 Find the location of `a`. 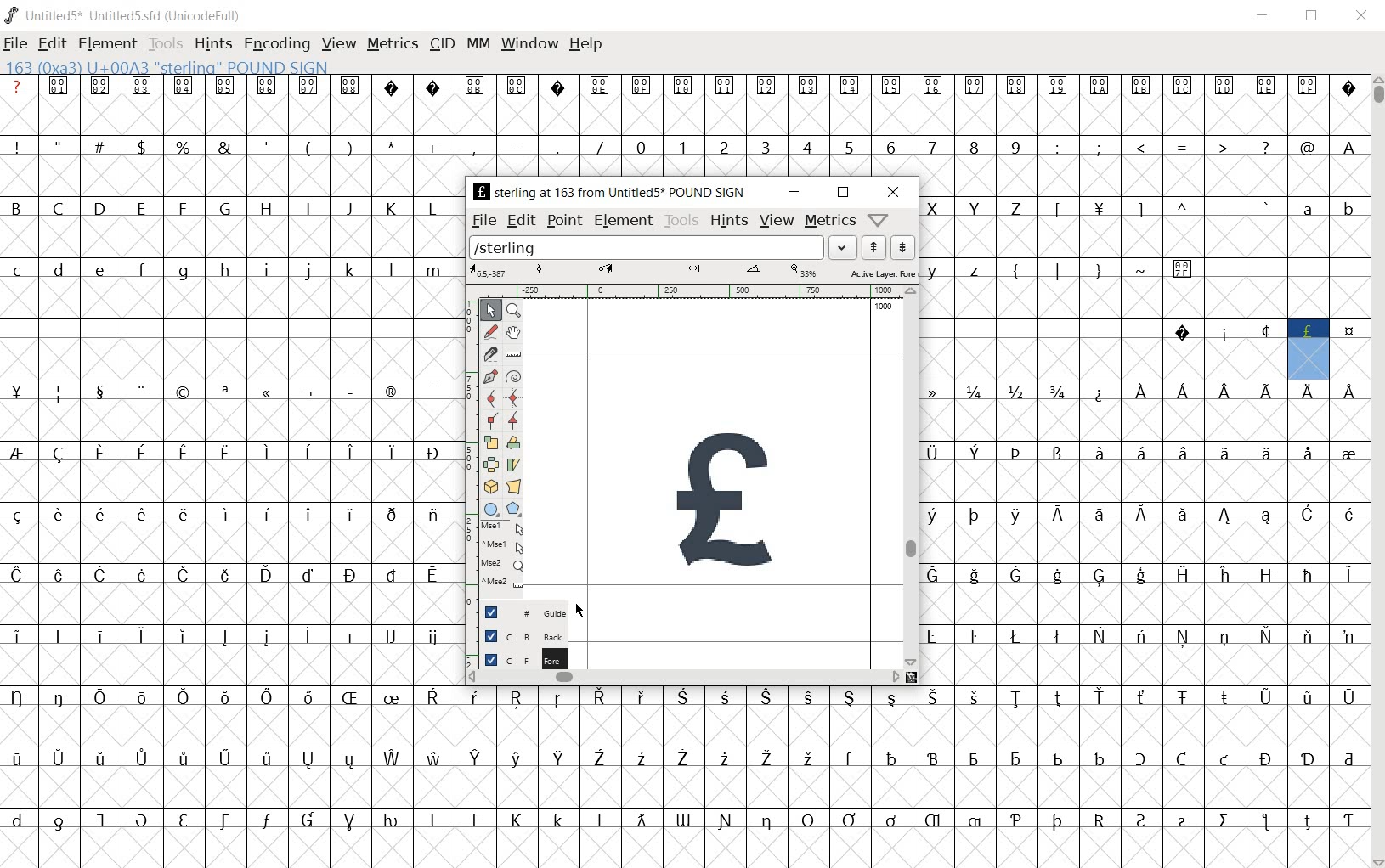

a is located at coordinates (1309, 208).